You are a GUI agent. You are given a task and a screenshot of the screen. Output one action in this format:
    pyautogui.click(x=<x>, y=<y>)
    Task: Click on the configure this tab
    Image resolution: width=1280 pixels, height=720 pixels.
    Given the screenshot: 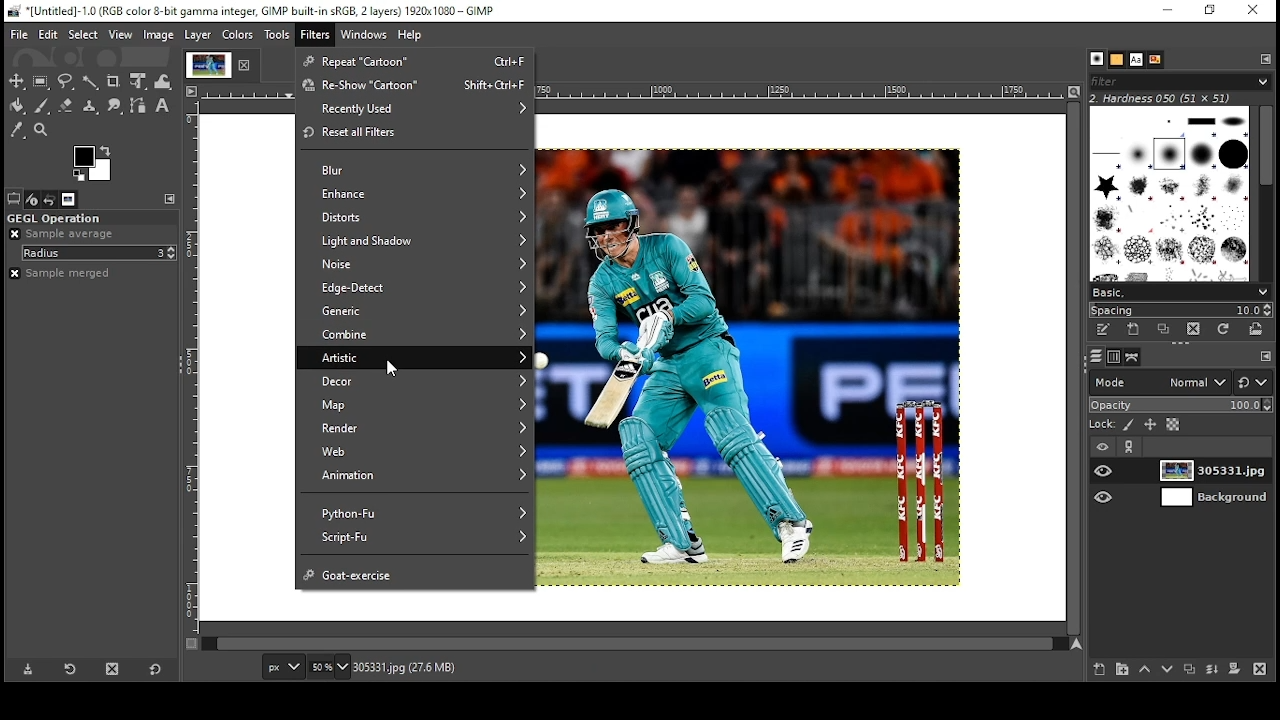 What is the action you would take?
    pyautogui.click(x=172, y=196)
    